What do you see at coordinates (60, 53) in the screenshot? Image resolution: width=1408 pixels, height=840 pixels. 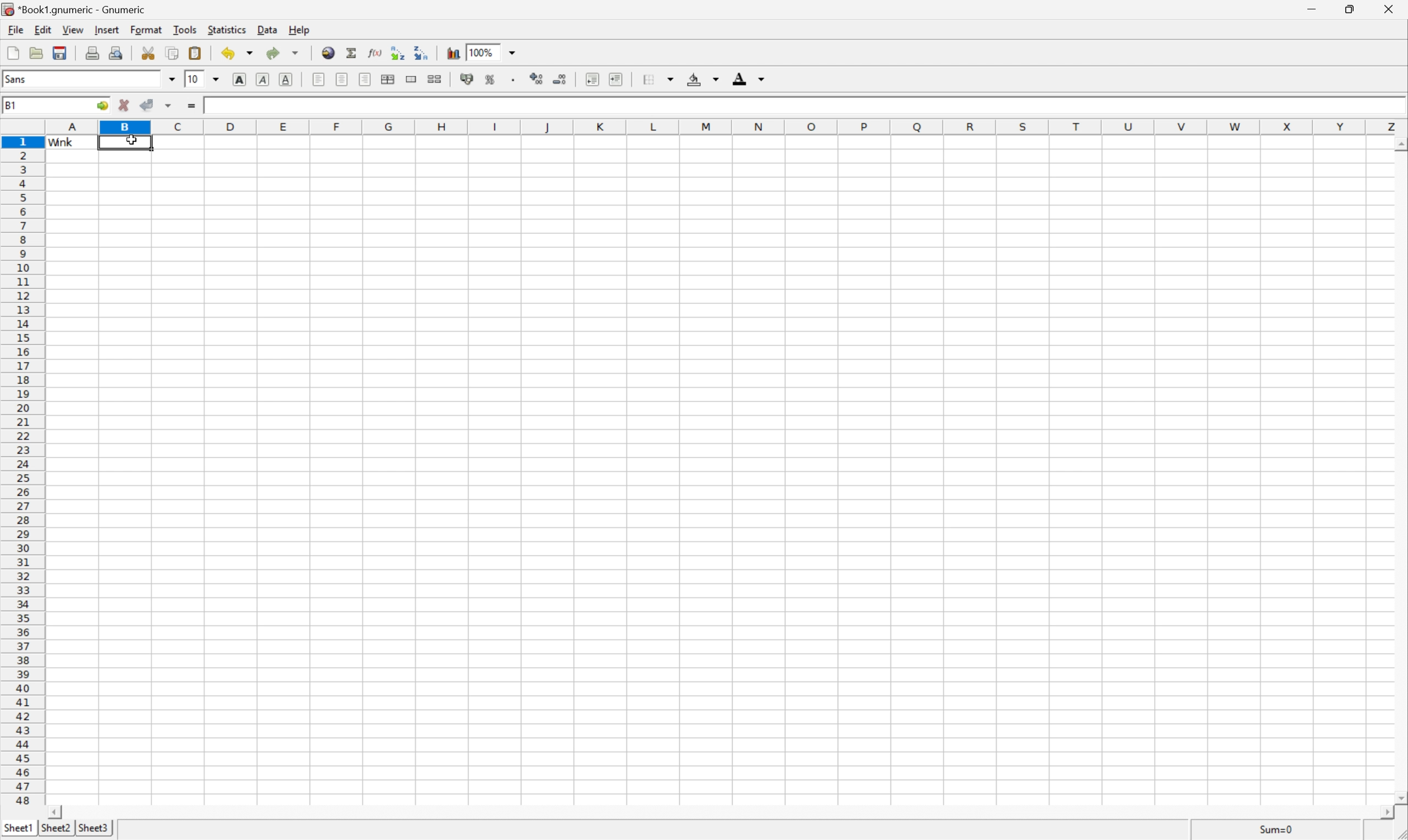 I see `save current workbook` at bounding box center [60, 53].